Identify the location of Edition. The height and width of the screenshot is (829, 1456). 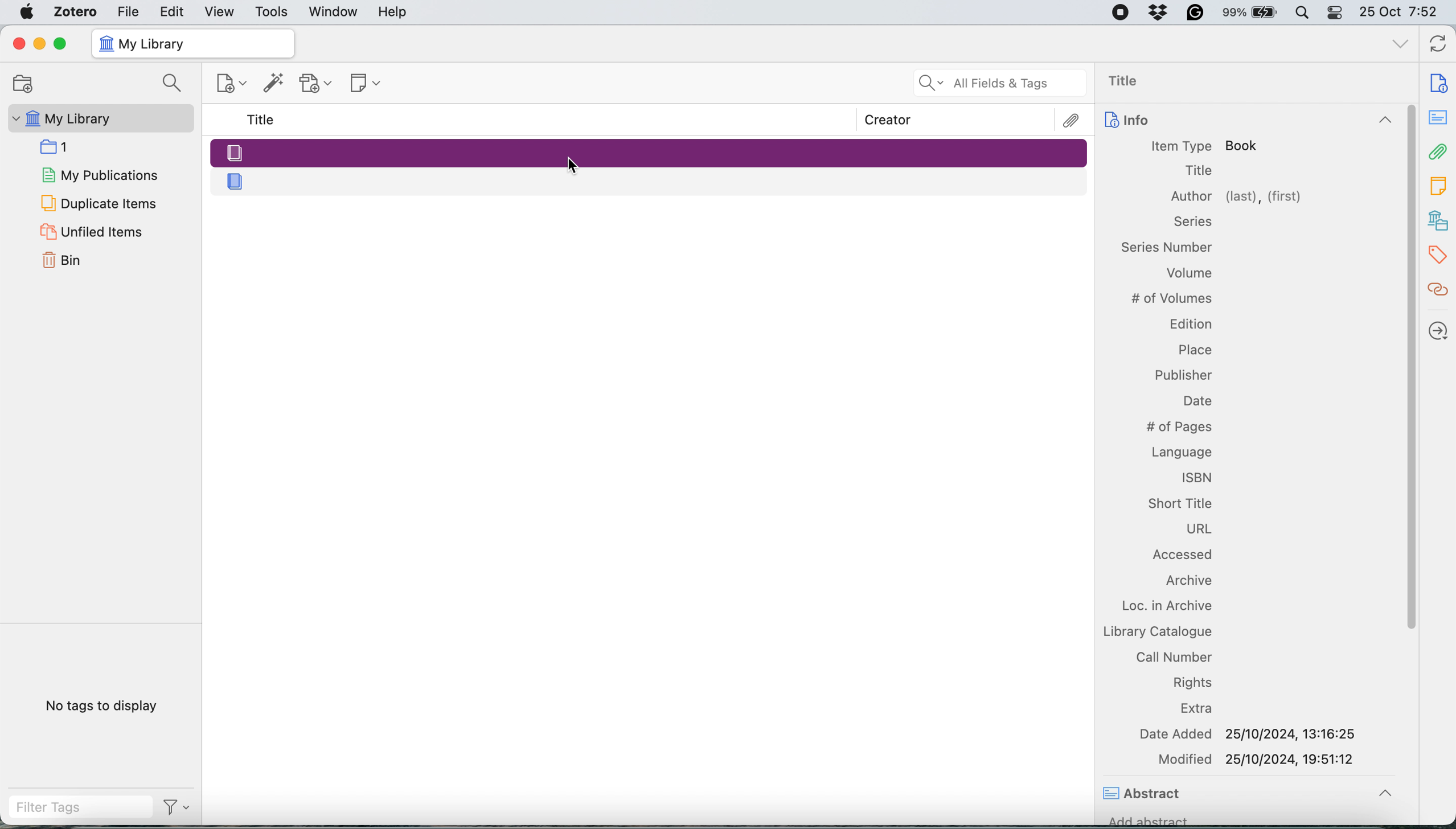
(1190, 323).